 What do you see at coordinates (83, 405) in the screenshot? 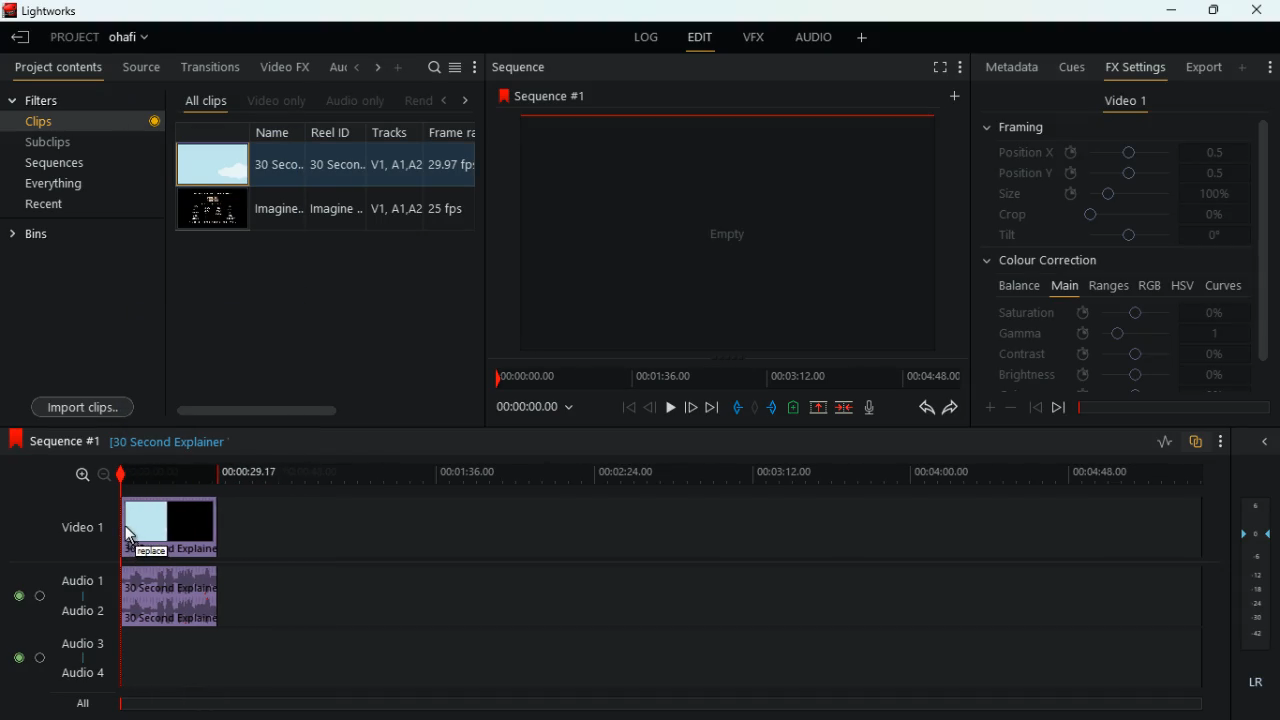
I see `import clips` at bounding box center [83, 405].